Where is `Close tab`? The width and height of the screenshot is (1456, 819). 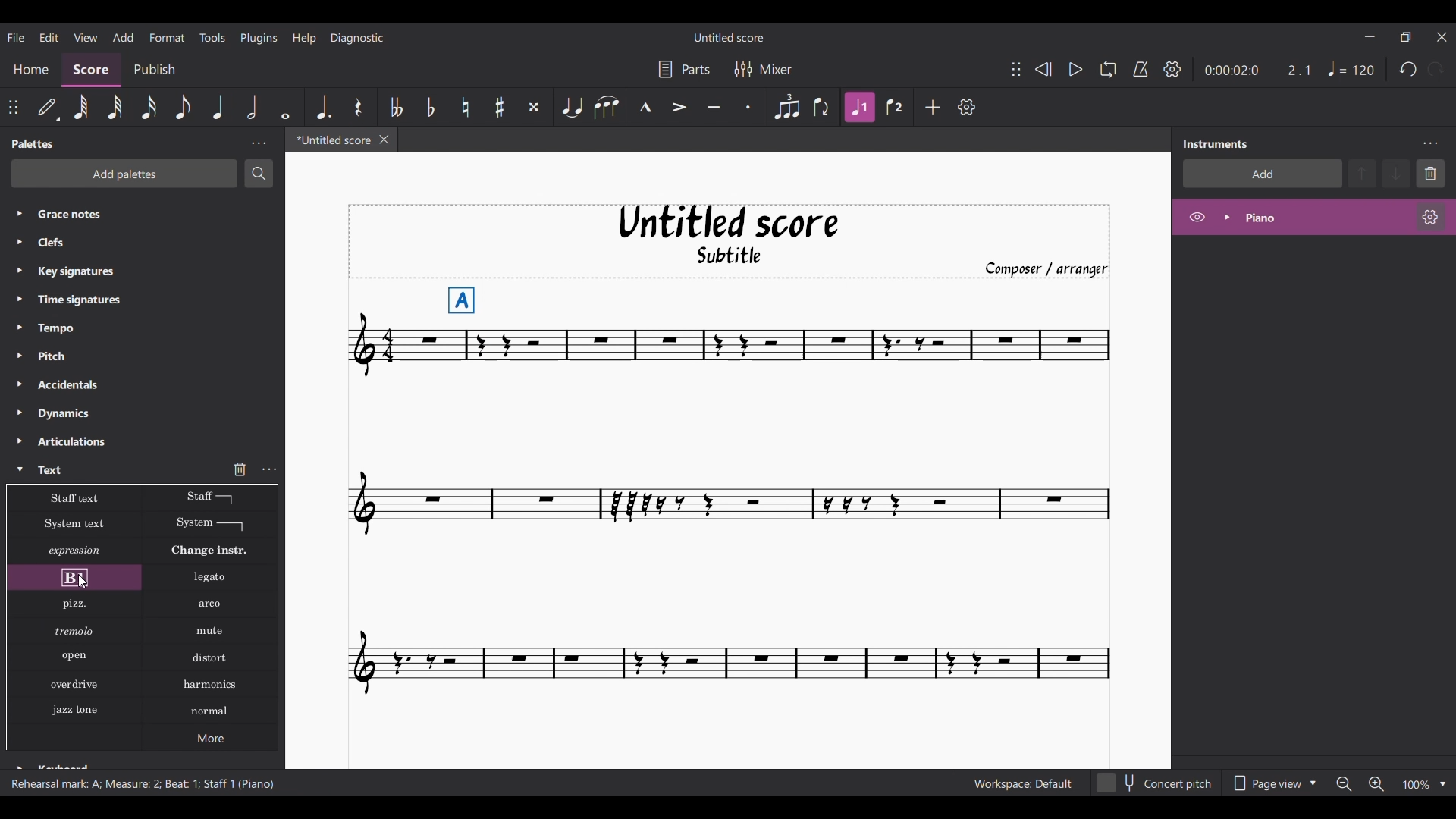 Close tab is located at coordinates (384, 140).